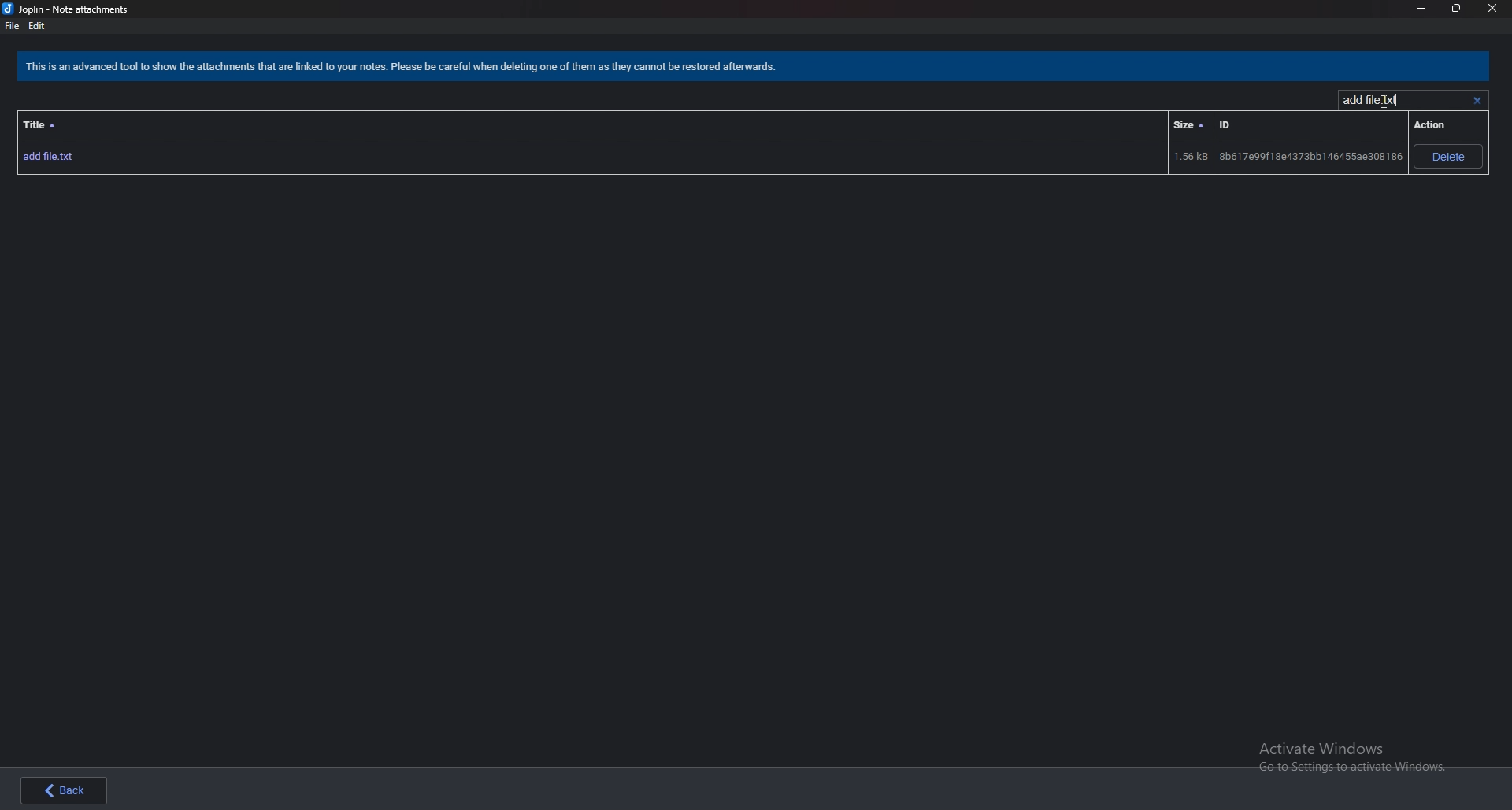  What do you see at coordinates (1421, 9) in the screenshot?
I see `minimize` at bounding box center [1421, 9].